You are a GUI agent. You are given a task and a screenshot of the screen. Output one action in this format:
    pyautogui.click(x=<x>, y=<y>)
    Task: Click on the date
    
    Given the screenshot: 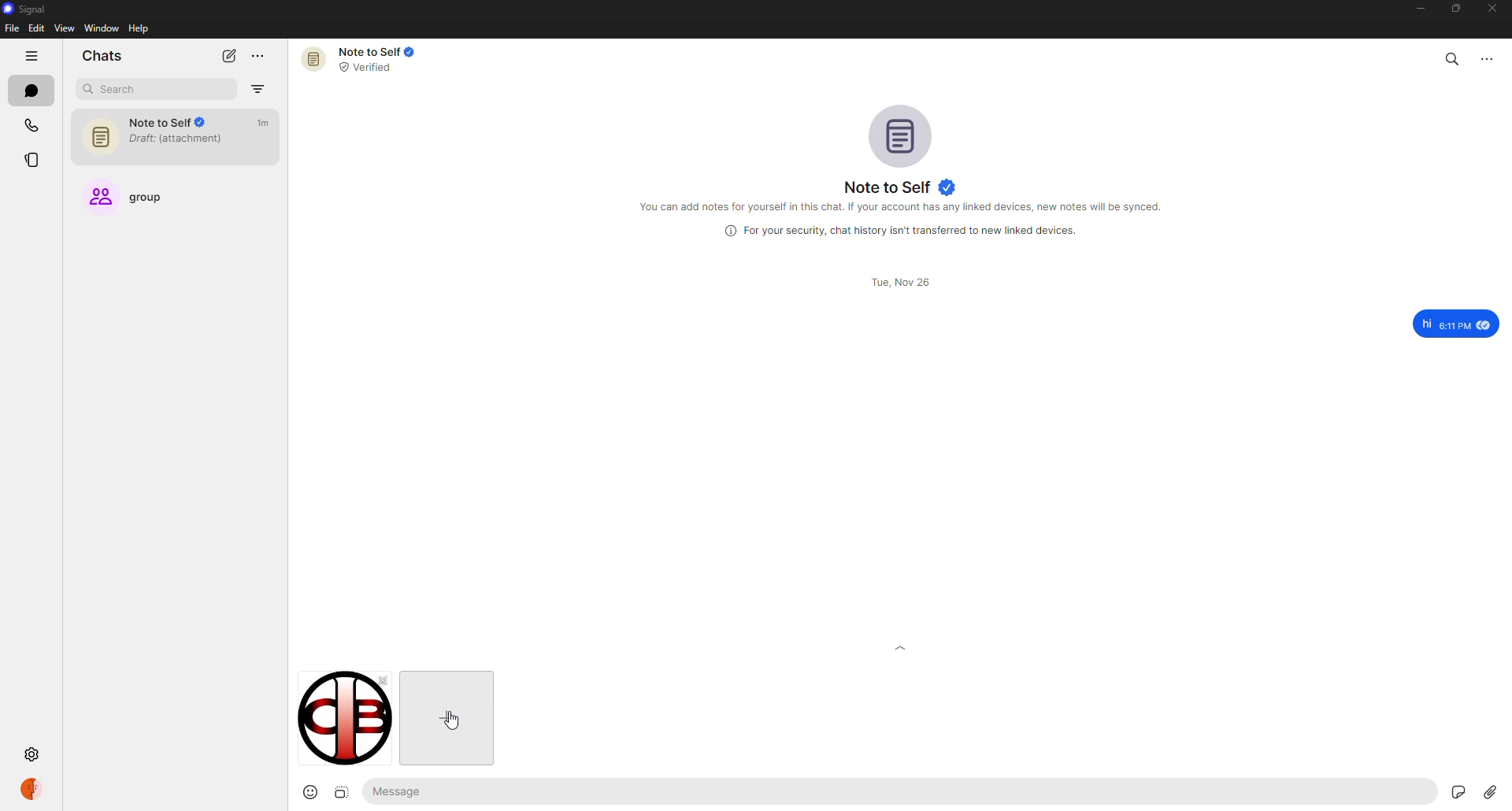 What is the action you would take?
    pyautogui.click(x=899, y=282)
    